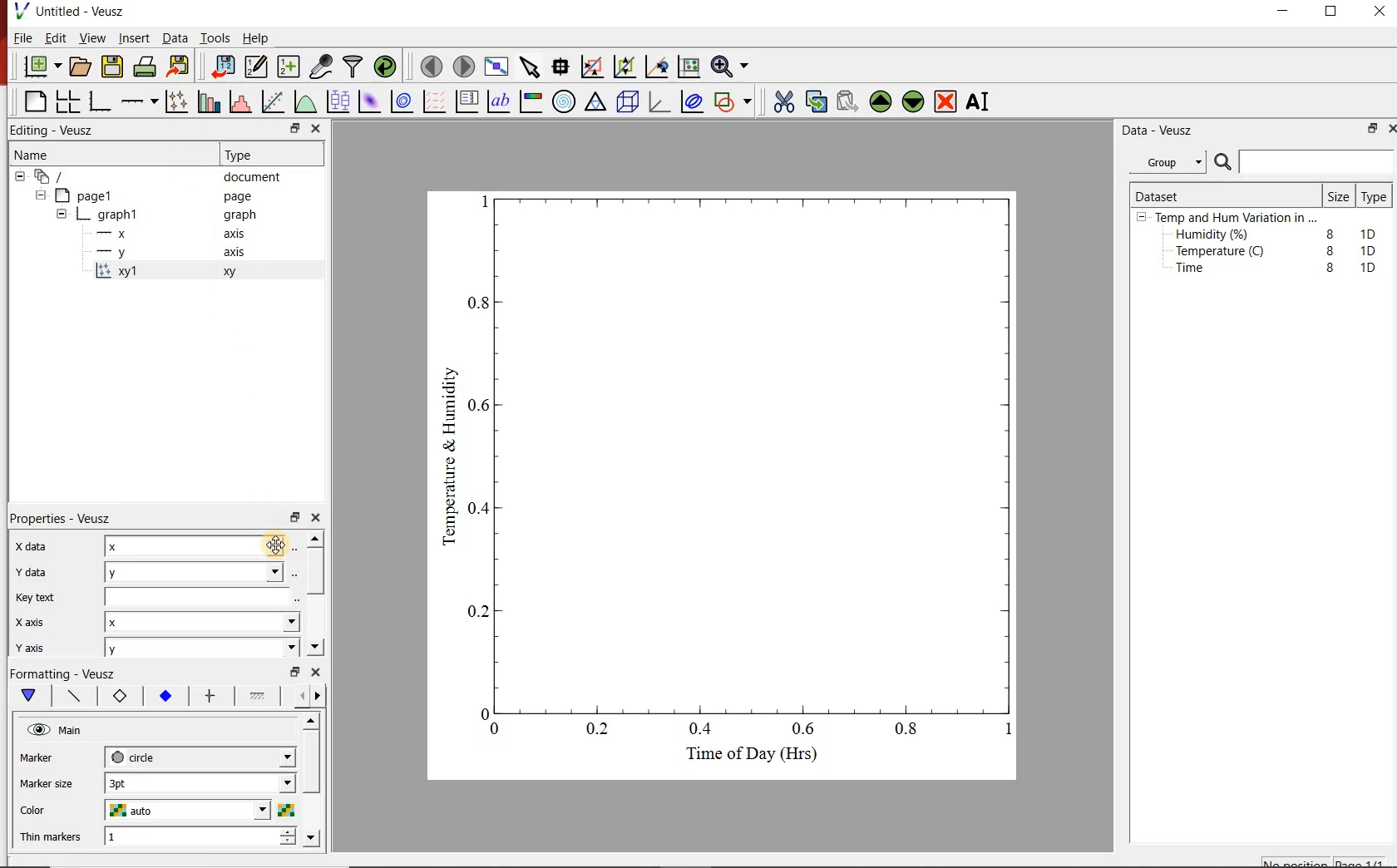  What do you see at coordinates (481, 200) in the screenshot?
I see `1` at bounding box center [481, 200].